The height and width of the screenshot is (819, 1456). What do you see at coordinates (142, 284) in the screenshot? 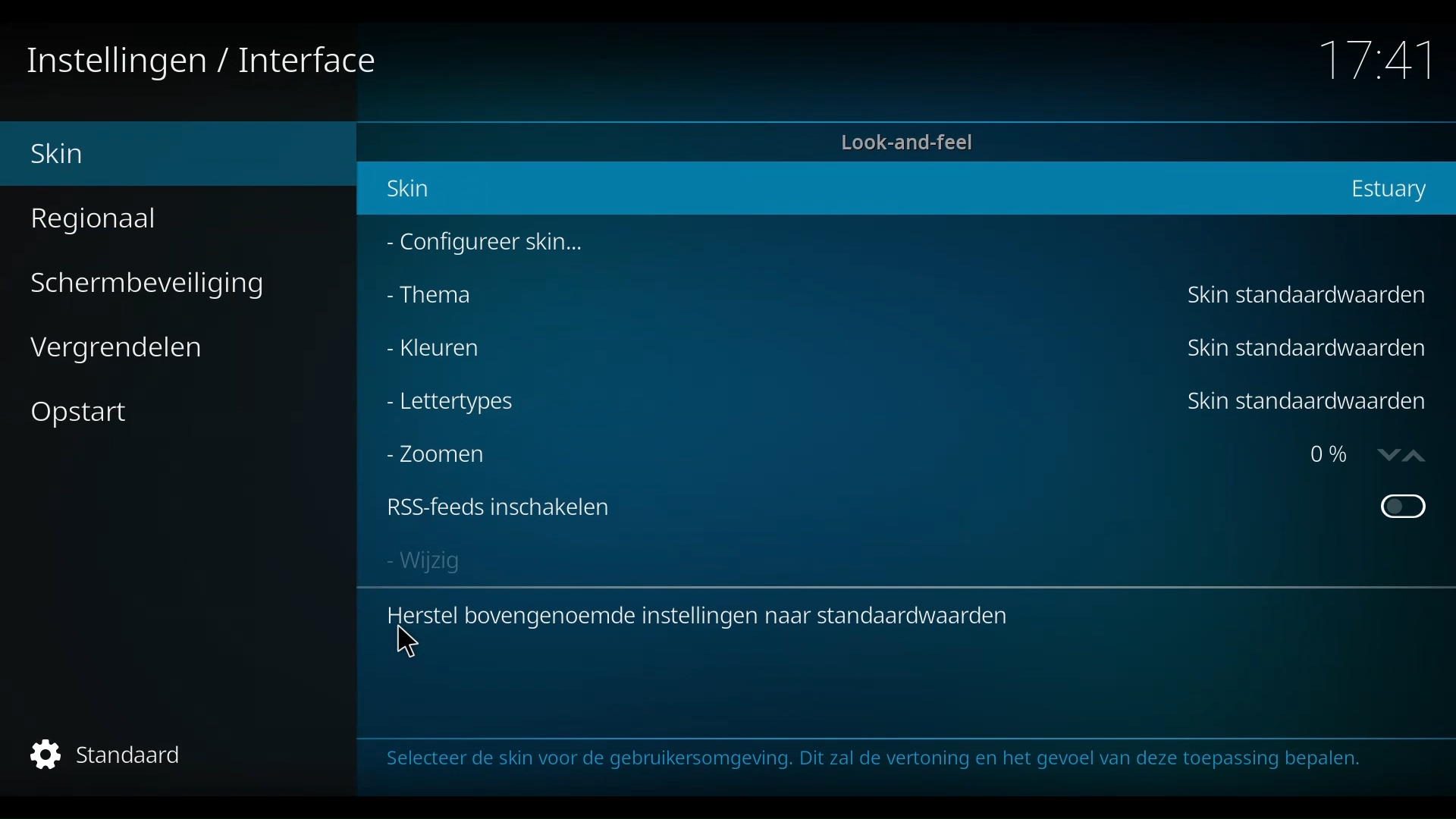
I see `Schermbeveiliging` at bounding box center [142, 284].